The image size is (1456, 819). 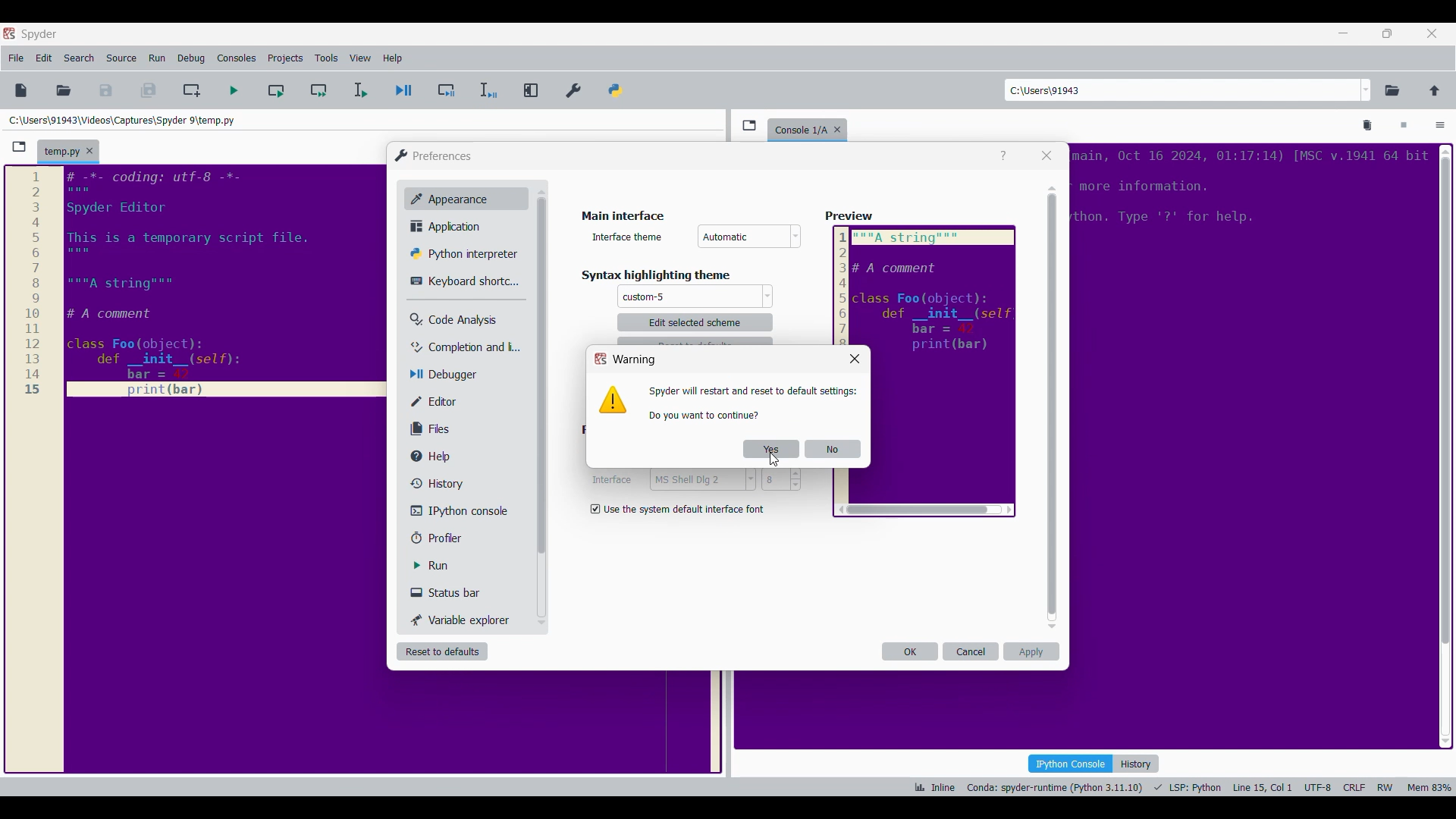 What do you see at coordinates (79, 58) in the screenshot?
I see `Search menu` at bounding box center [79, 58].